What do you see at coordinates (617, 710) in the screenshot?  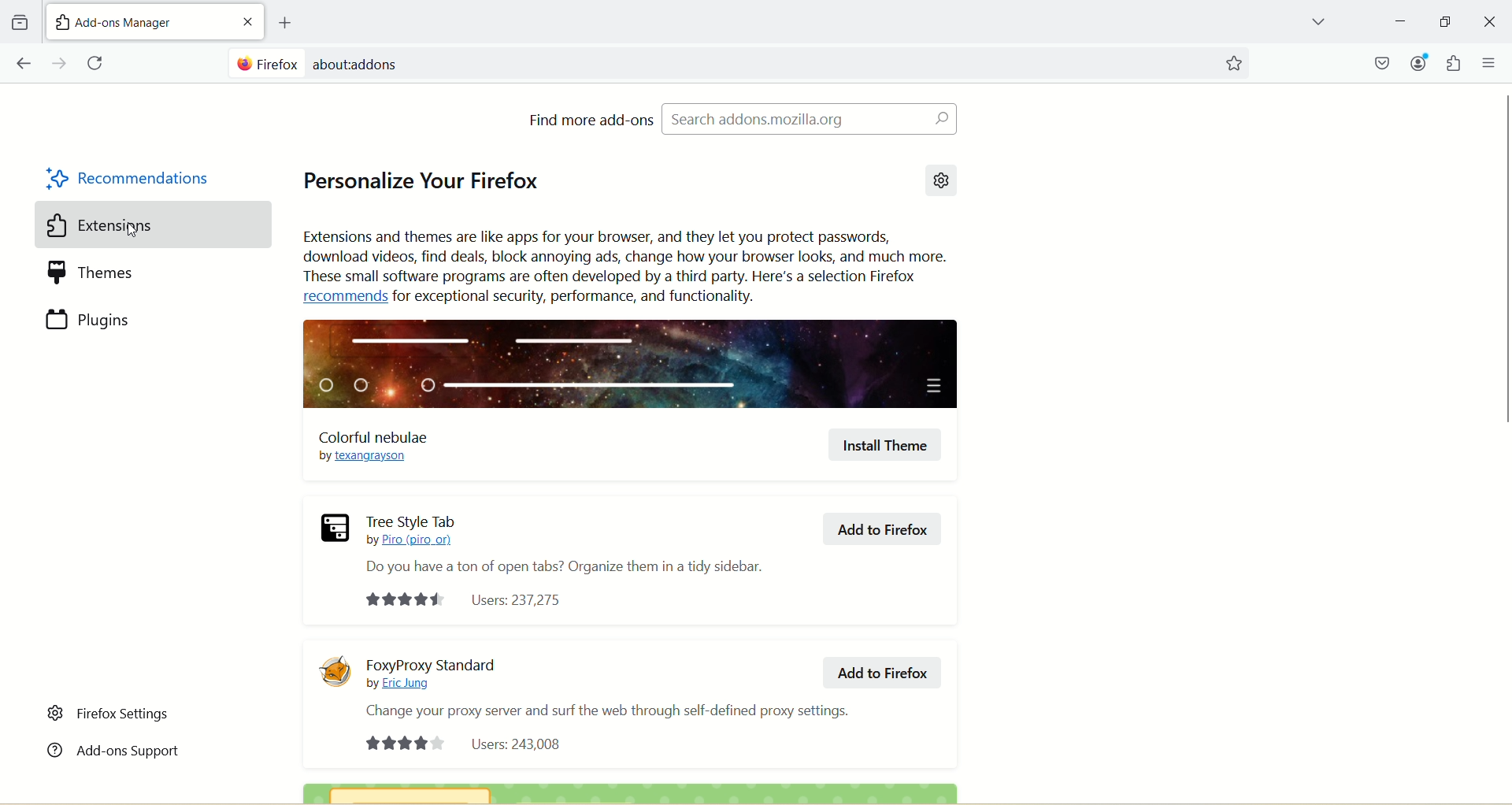 I see `Change your proxy server and surf the web through self-defined proxy settings.` at bounding box center [617, 710].